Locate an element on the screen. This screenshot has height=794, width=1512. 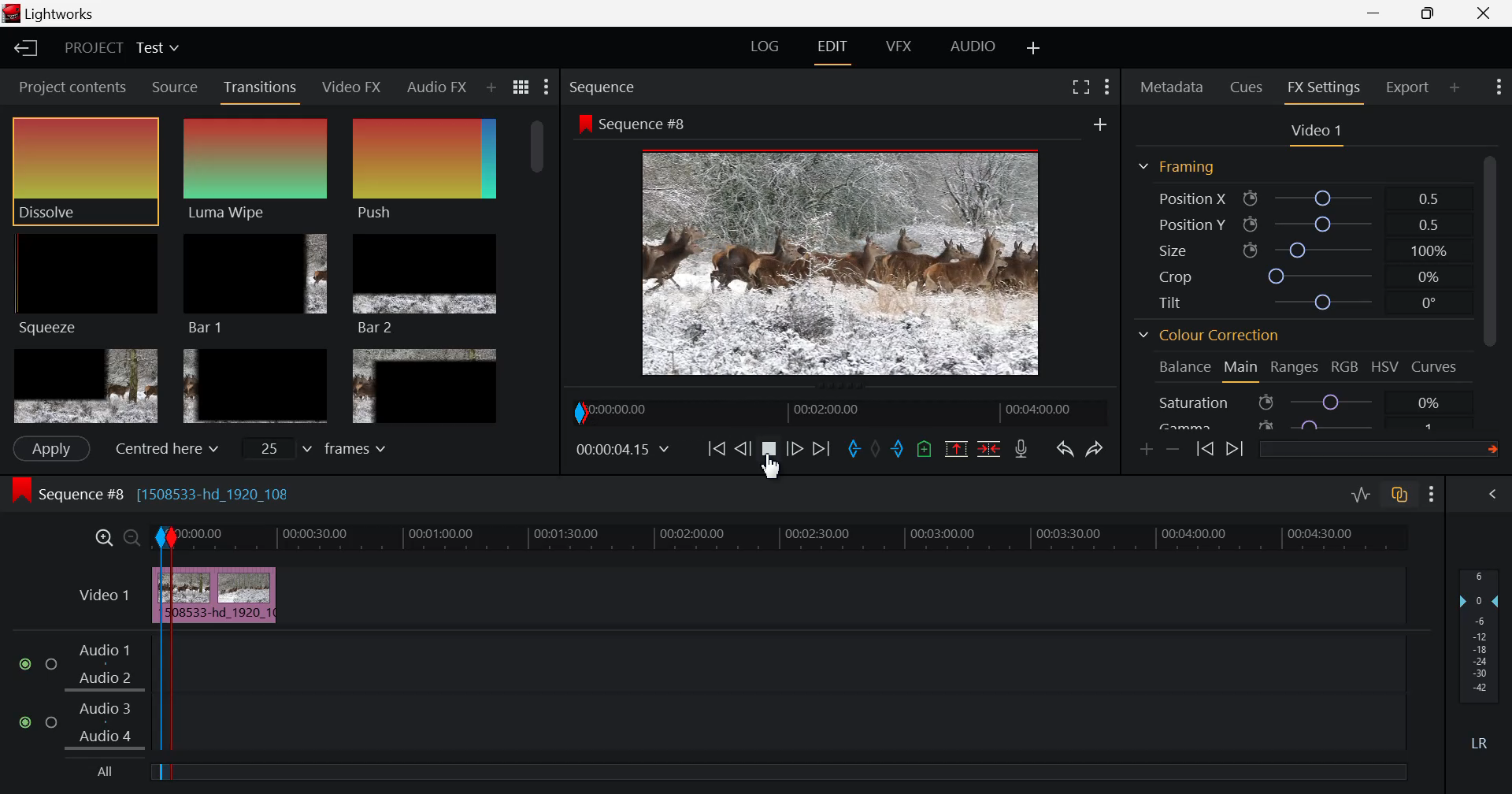
Previous keyframe is located at coordinates (1206, 451).